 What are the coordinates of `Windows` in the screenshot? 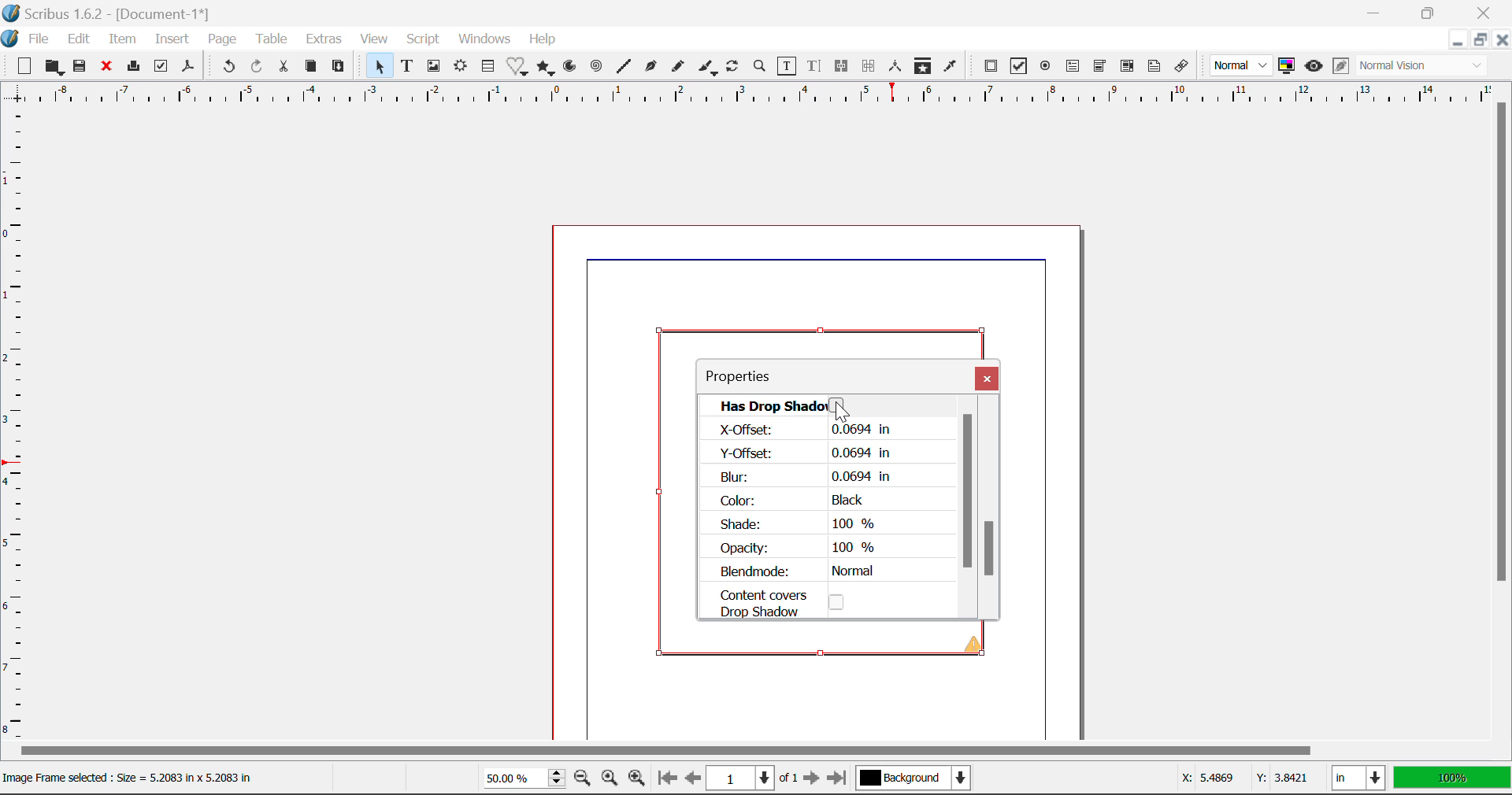 It's located at (485, 39).